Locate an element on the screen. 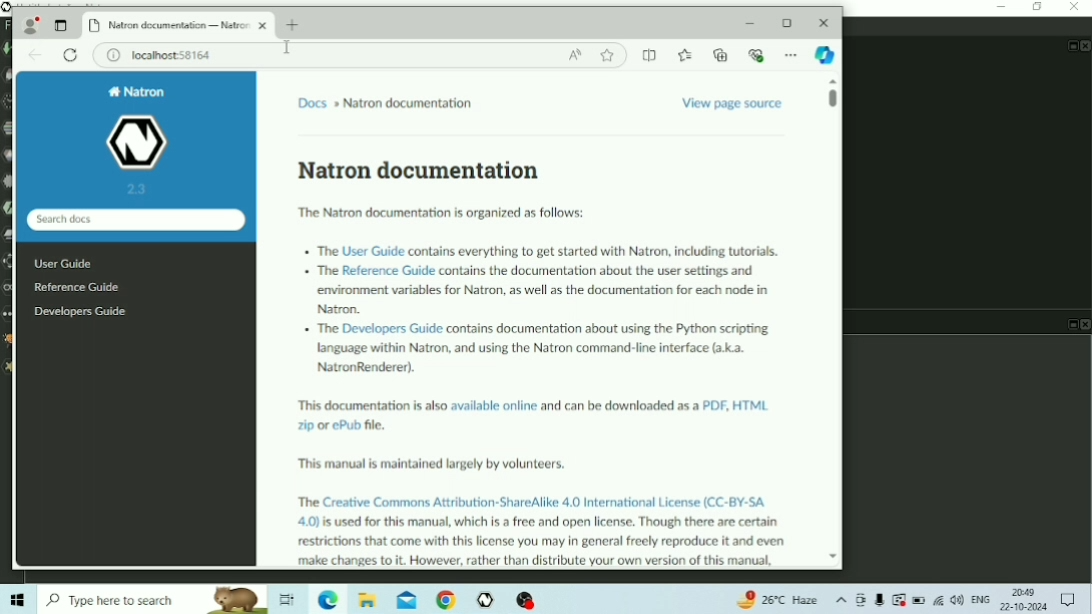  Language is located at coordinates (981, 597).